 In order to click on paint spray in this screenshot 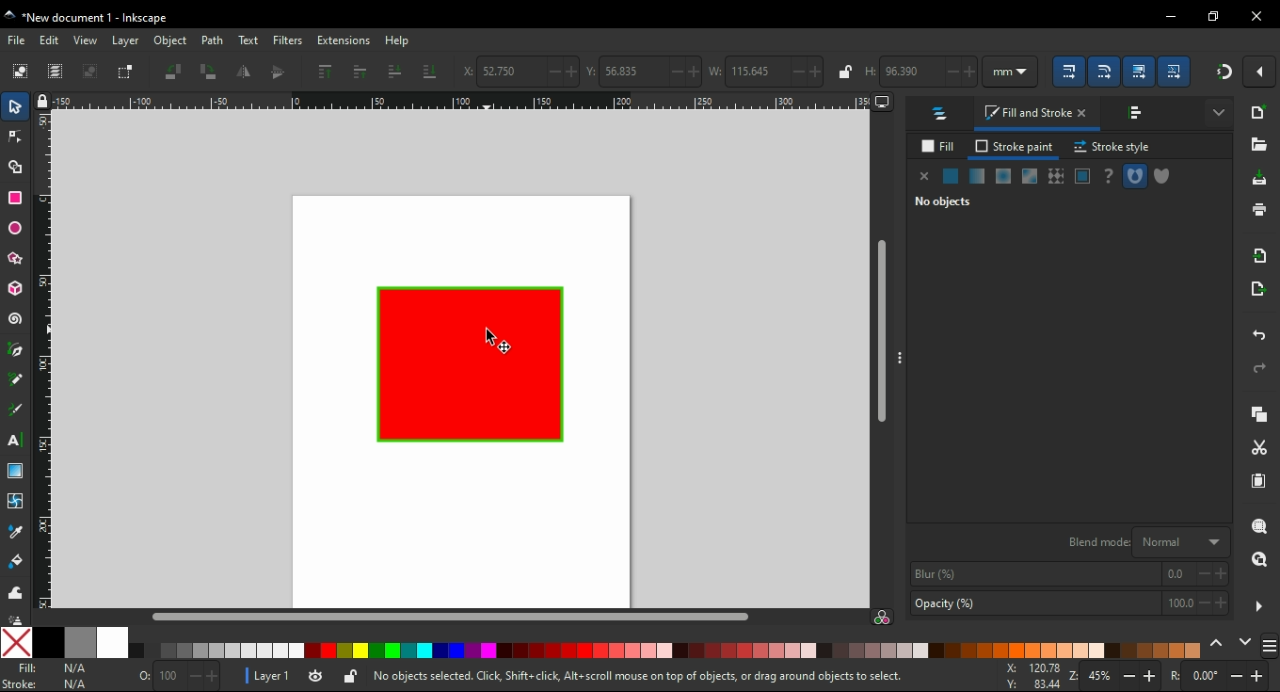, I will do `click(16, 618)`.